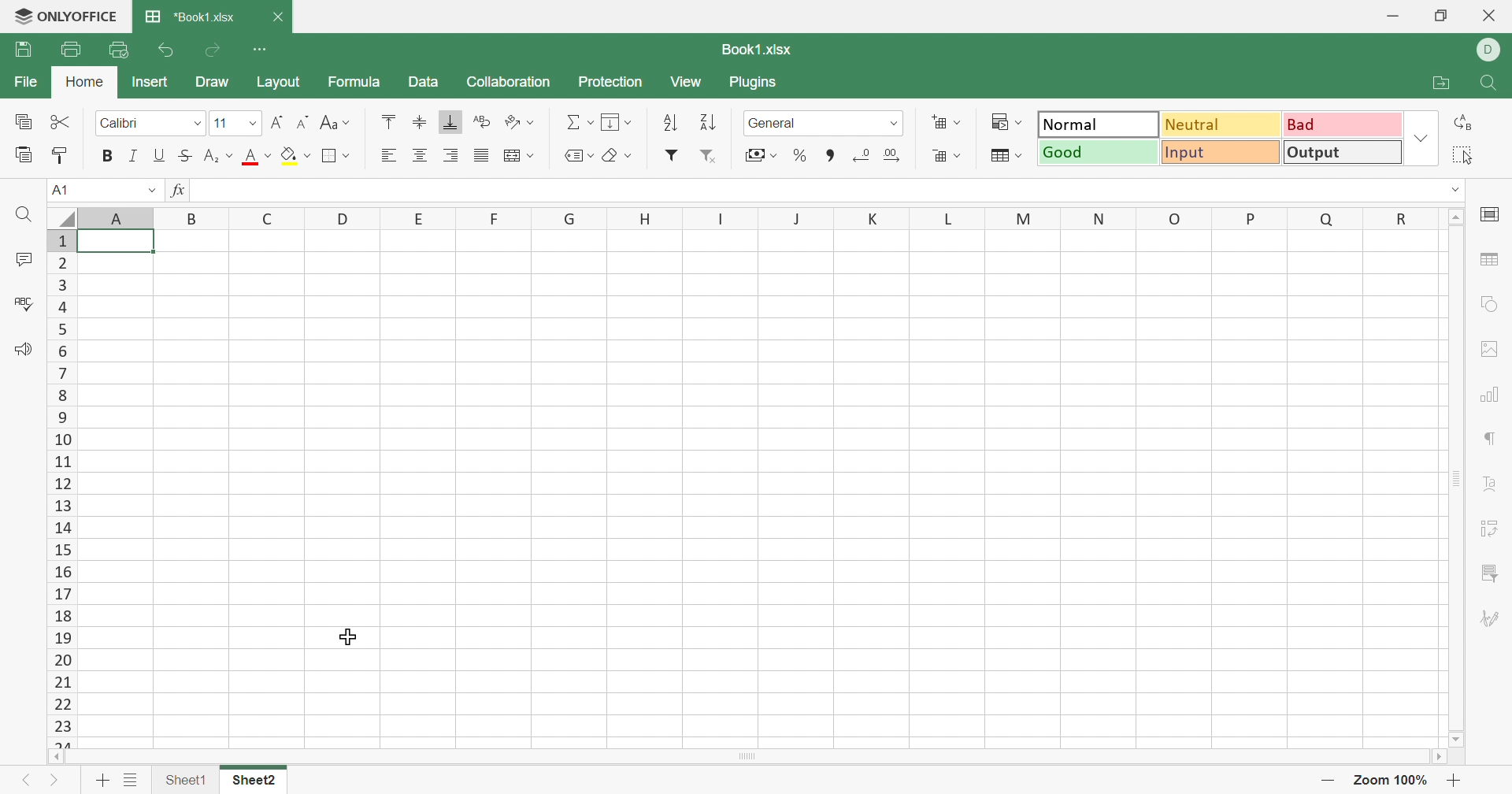  Describe the element at coordinates (892, 155) in the screenshot. I see `Increase decimal` at that location.